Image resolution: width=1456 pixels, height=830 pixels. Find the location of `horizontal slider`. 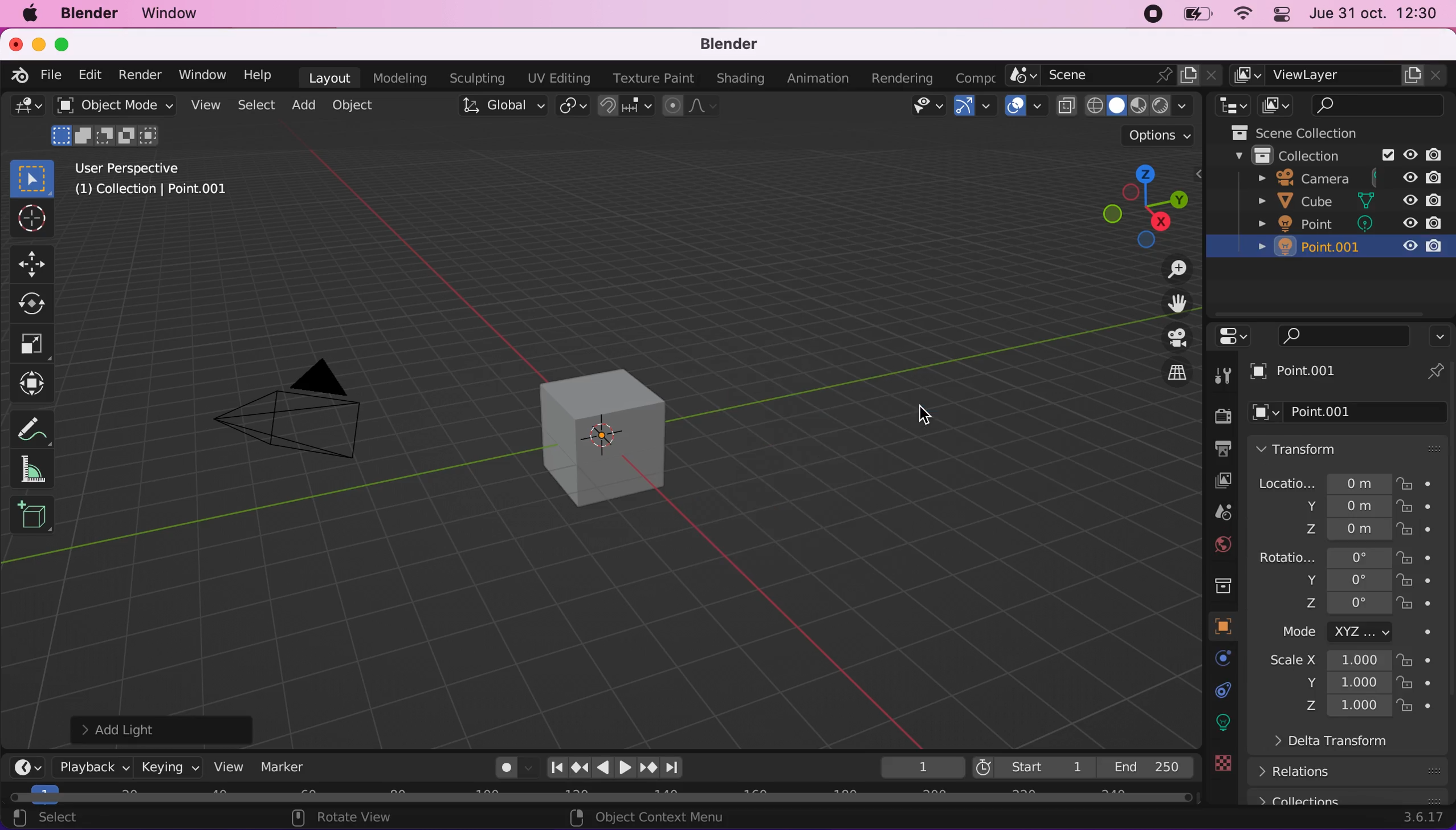

horizontal slider is located at coordinates (601, 796).